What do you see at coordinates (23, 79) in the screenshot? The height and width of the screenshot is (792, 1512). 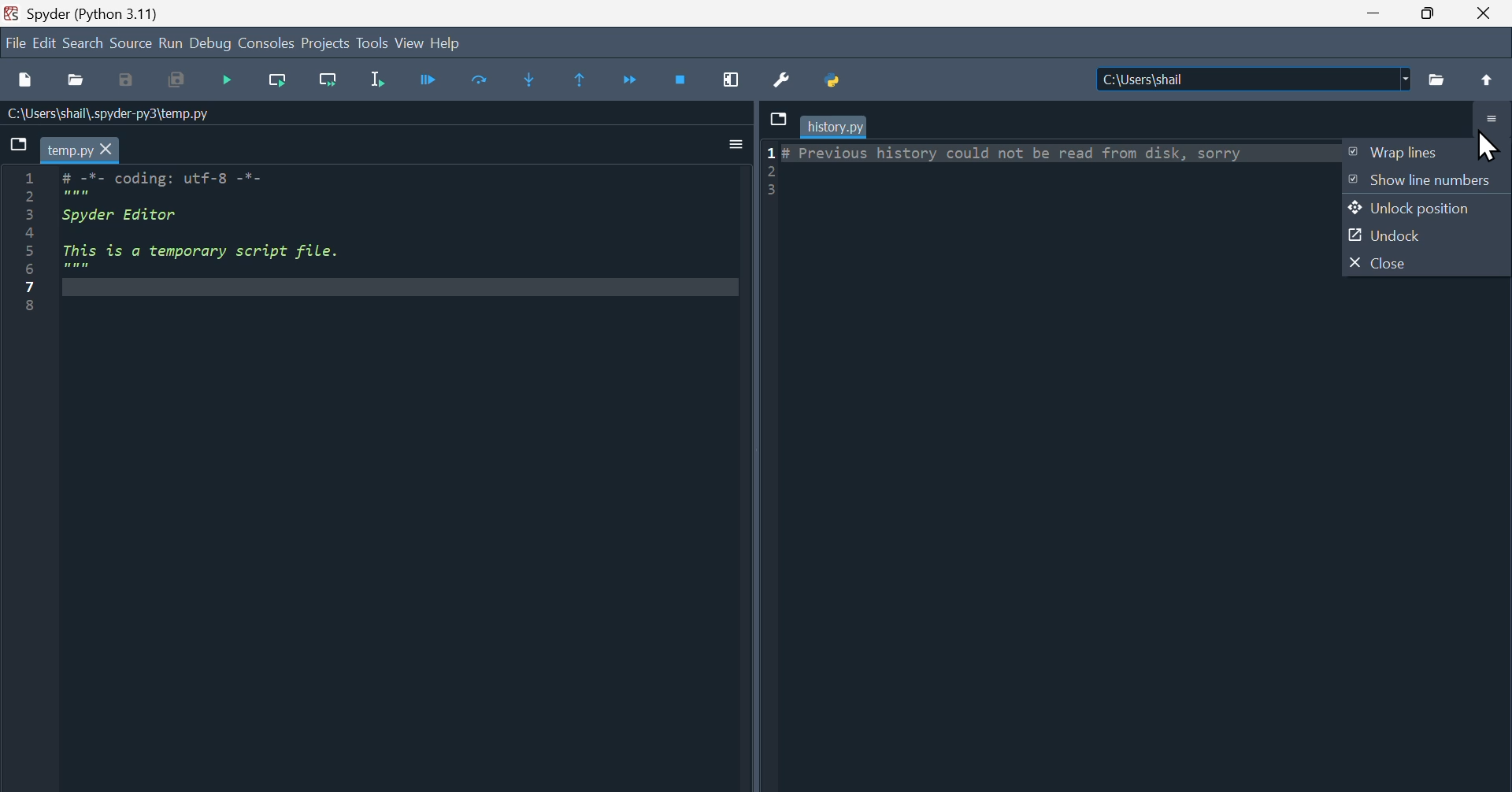 I see `New file` at bounding box center [23, 79].